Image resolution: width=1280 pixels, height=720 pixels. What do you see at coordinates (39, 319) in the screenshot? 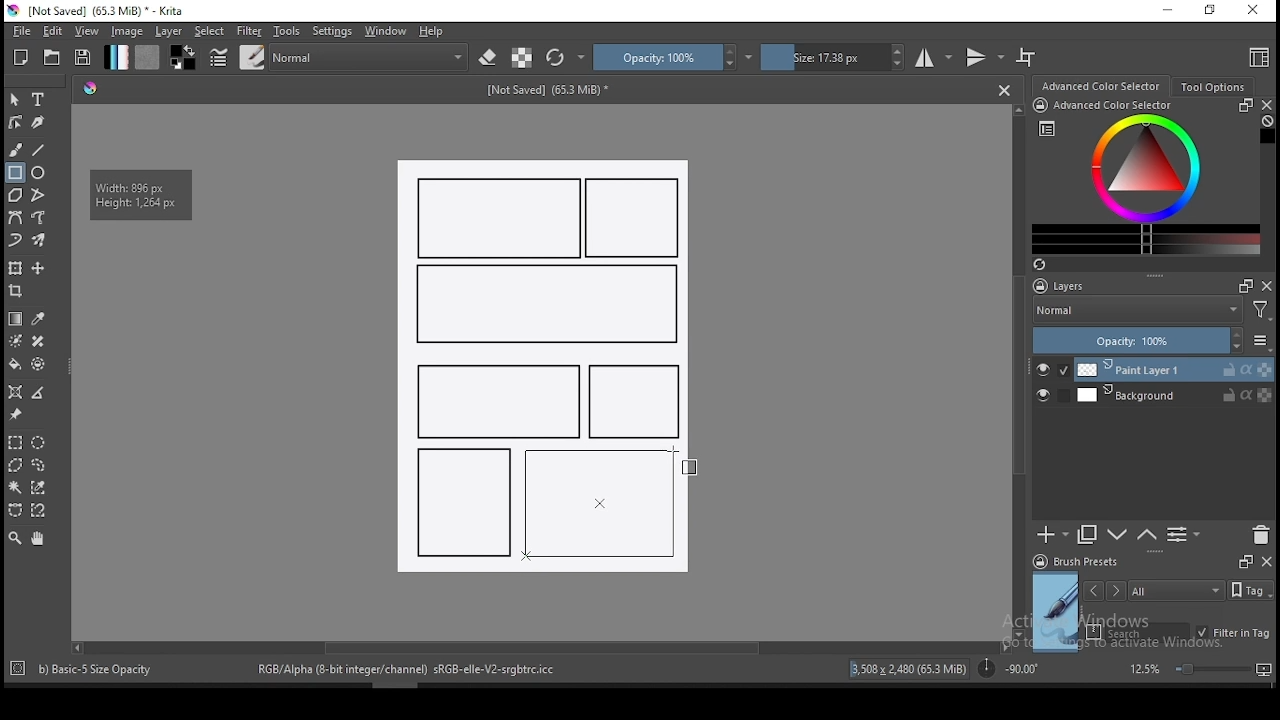
I see `pick a color from image and current layer` at bounding box center [39, 319].